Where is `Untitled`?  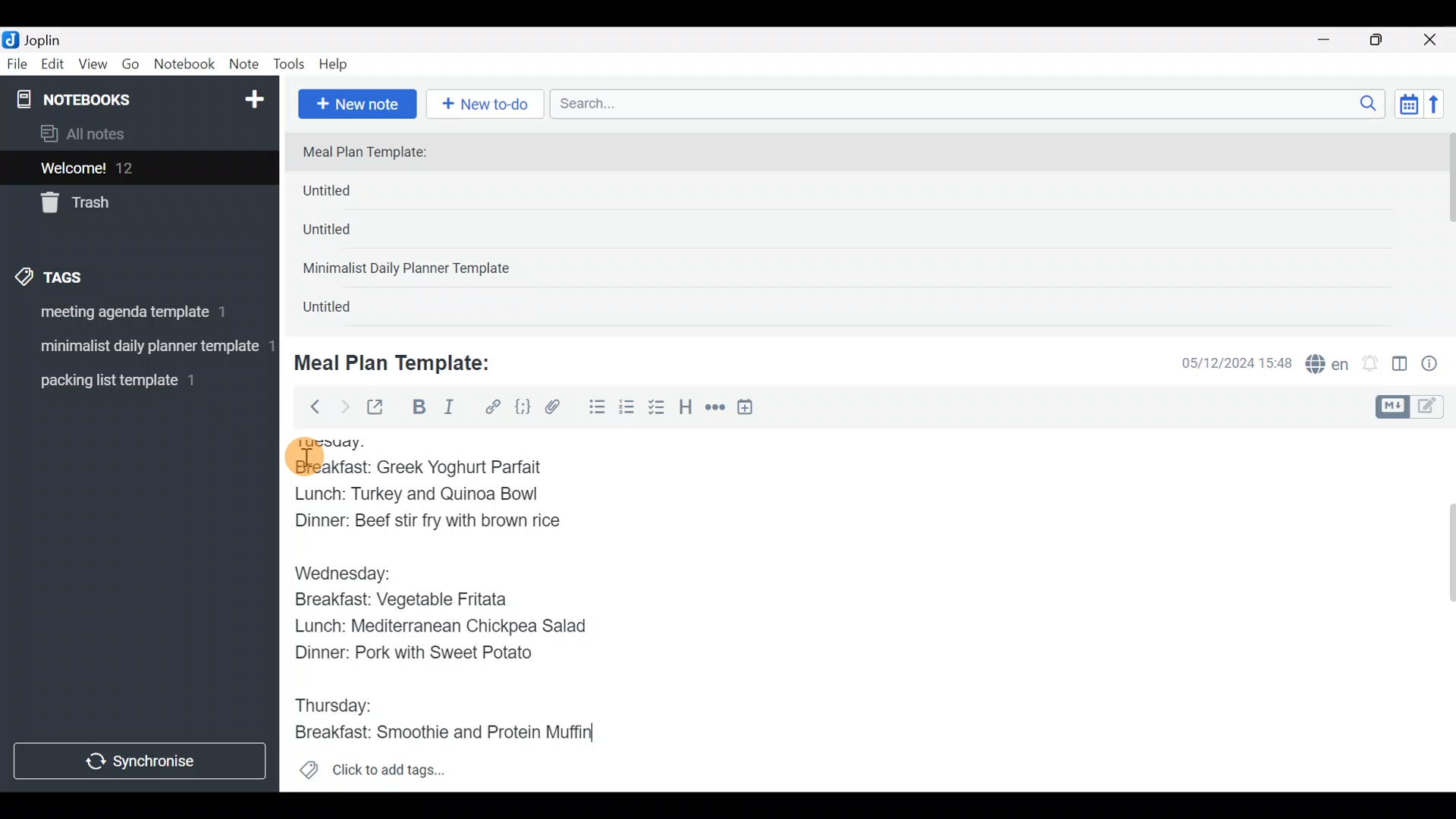
Untitled is located at coordinates (352, 194).